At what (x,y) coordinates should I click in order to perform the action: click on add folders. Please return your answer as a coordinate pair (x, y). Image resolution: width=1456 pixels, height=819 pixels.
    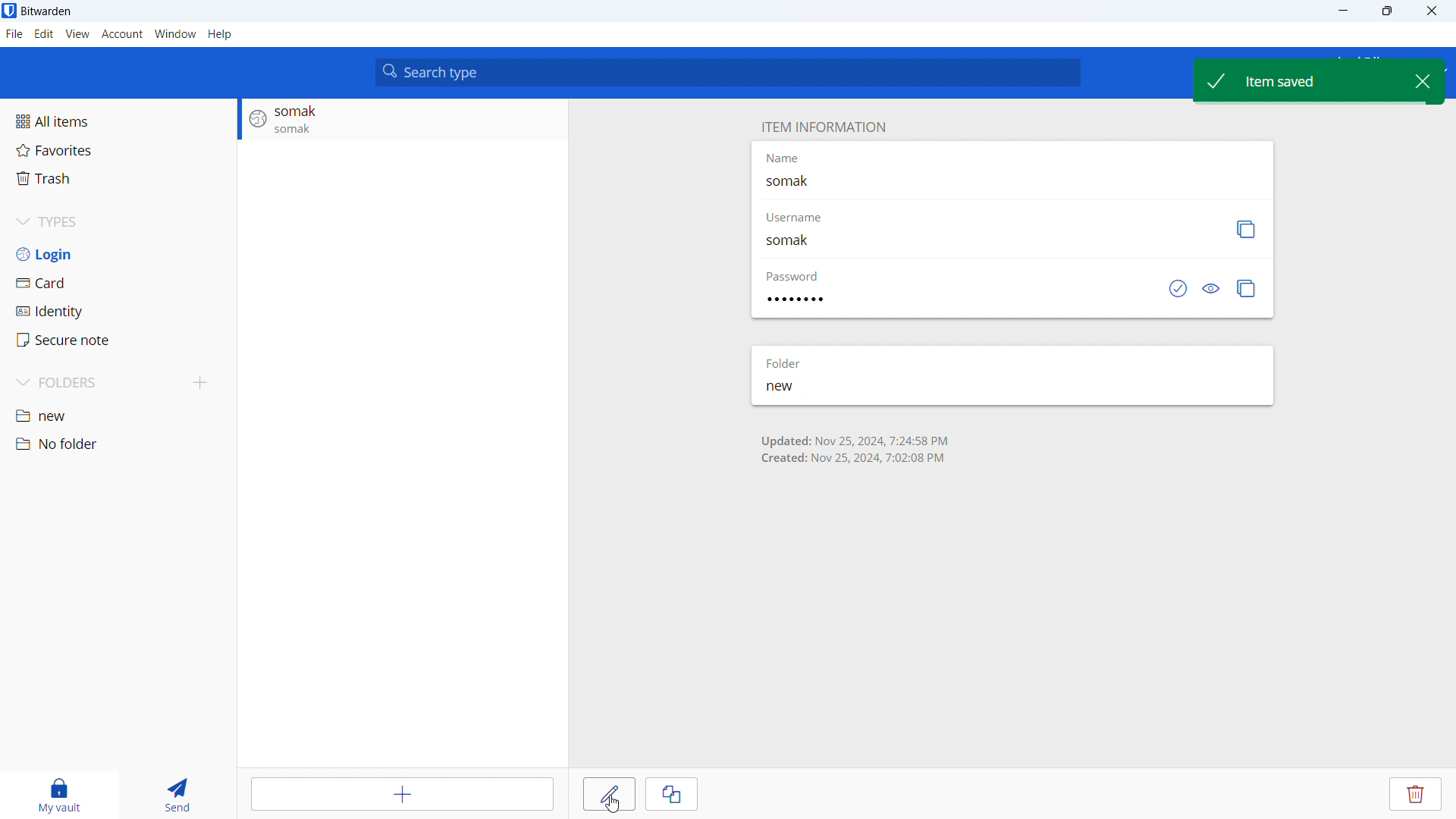
    Looking at the image, I should click on (201, 383).